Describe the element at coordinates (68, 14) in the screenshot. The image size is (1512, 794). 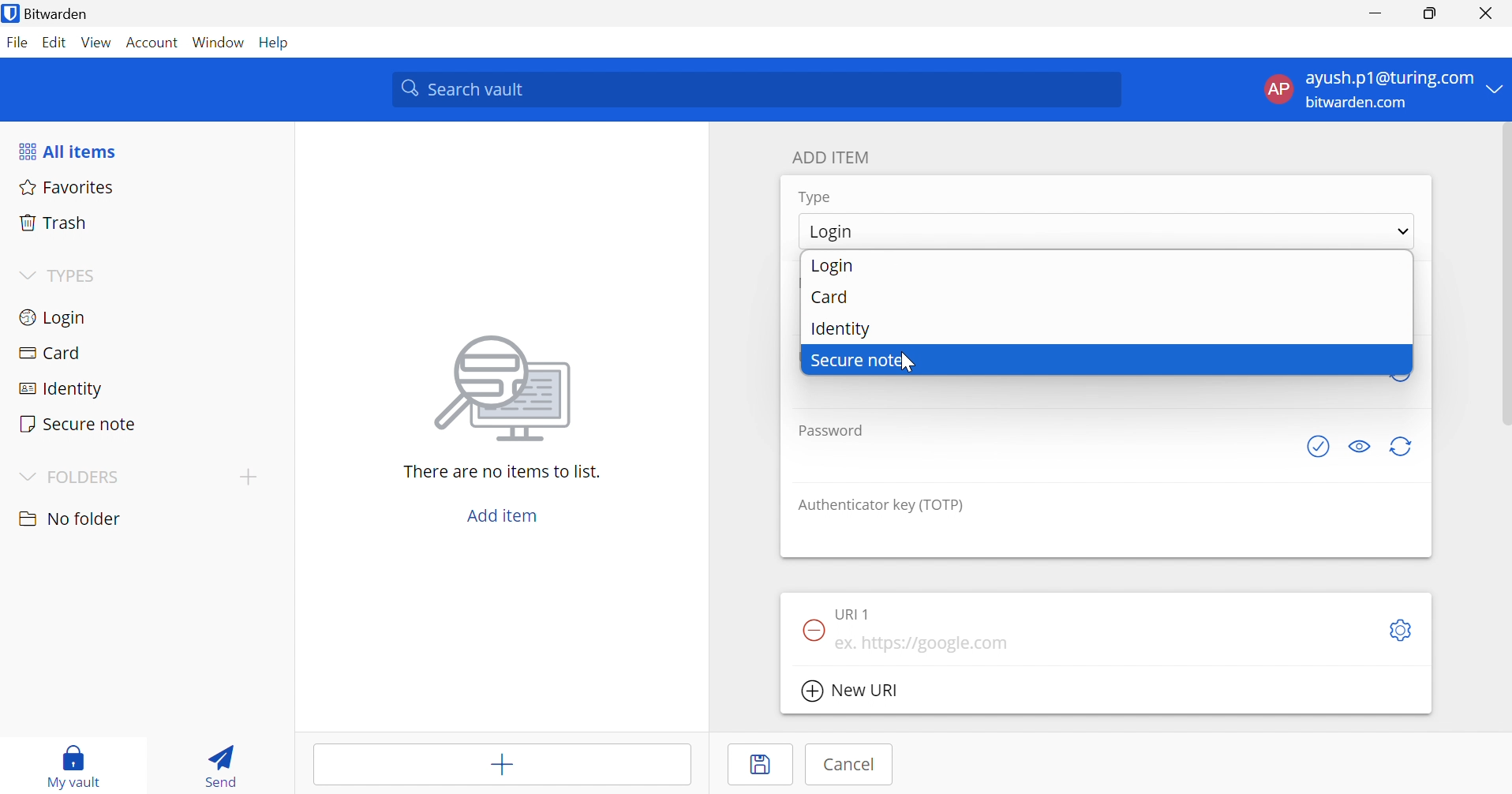
I see `Bitwarden` at that location.